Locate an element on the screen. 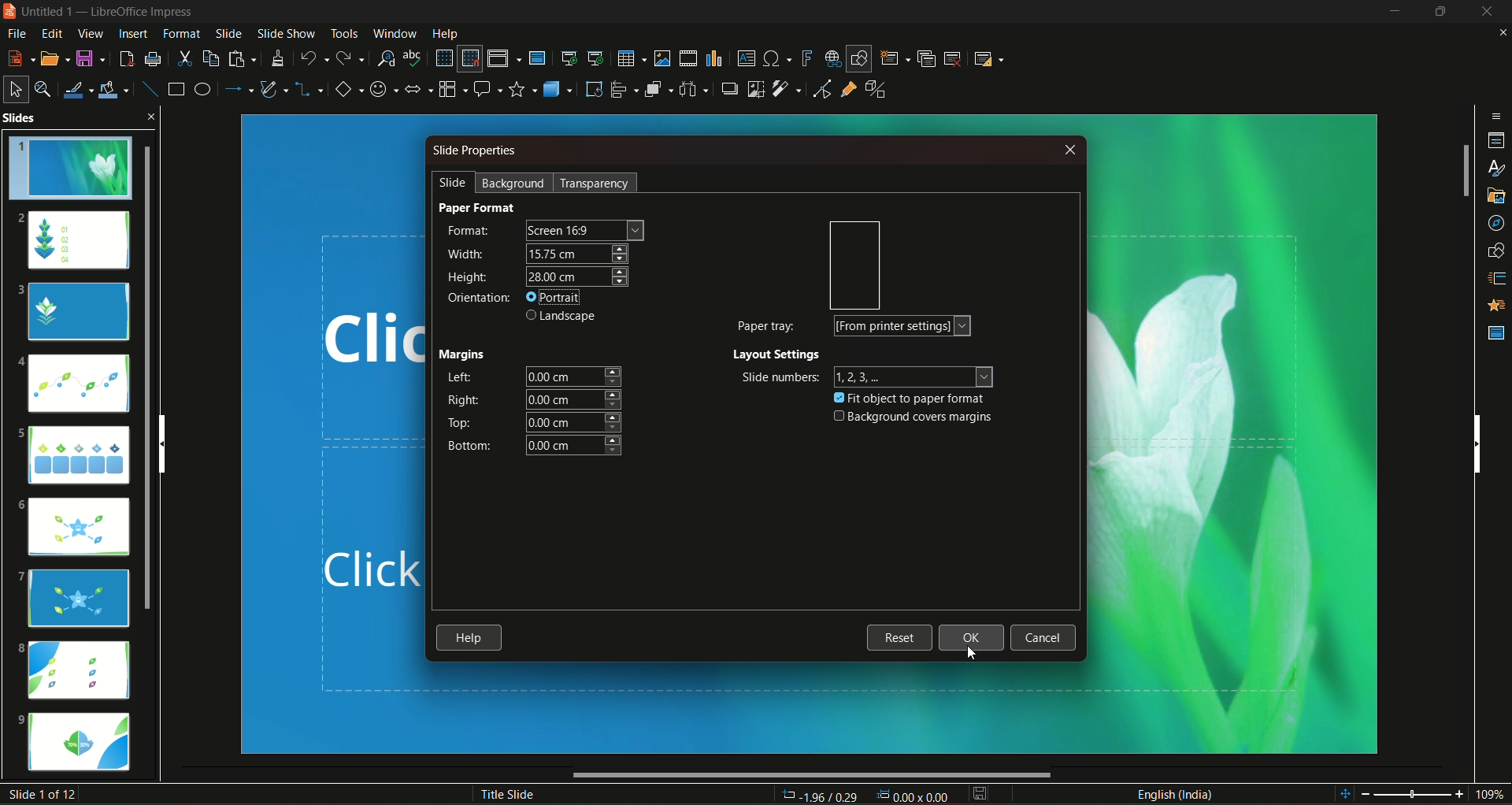 This screenshot has width=1512, height=805. callout shapes is located at coordinates (488, 88).